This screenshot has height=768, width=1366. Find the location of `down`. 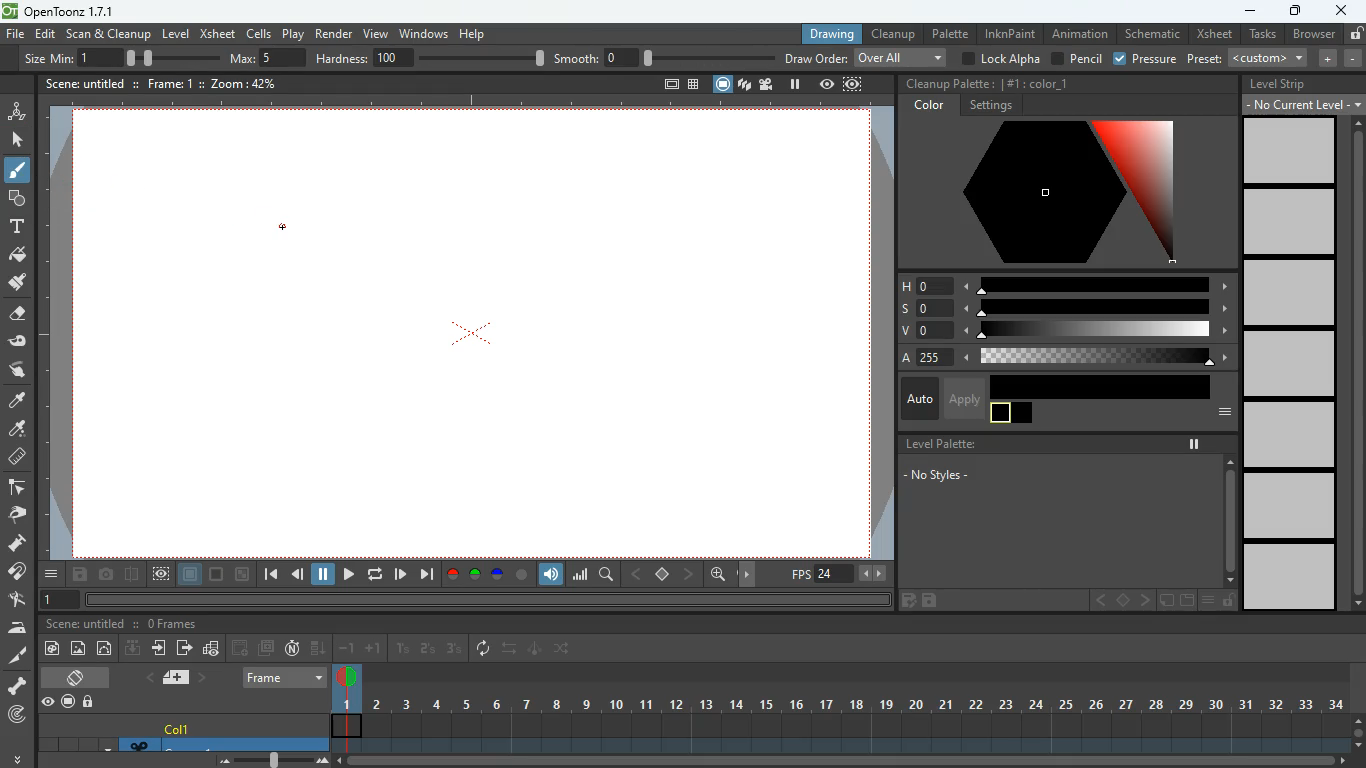

down is located at coordinates (319, 647).